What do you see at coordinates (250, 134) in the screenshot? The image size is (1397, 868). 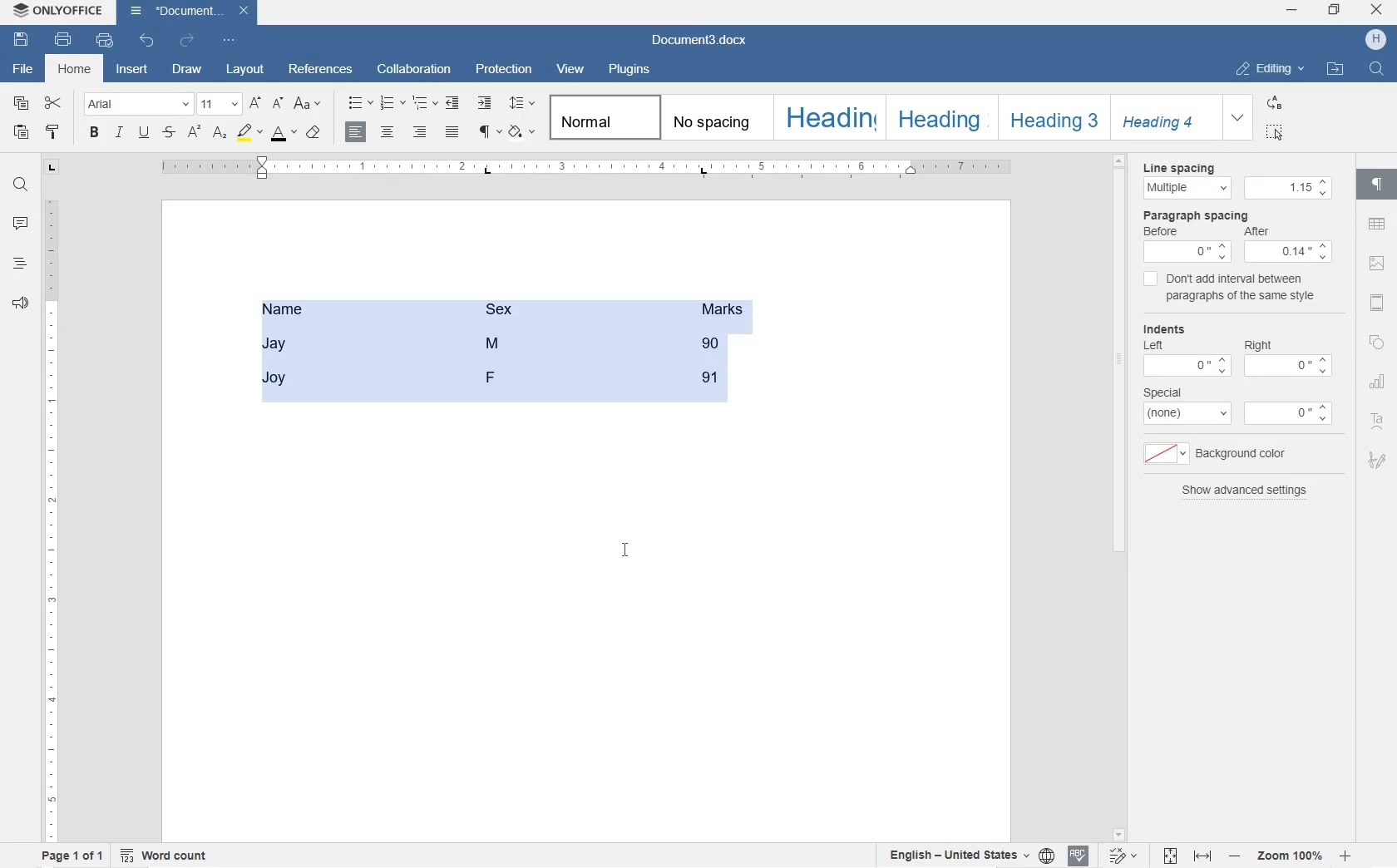 I see `HIGHLIGHT COLOR` at bounding box center [250, 134].